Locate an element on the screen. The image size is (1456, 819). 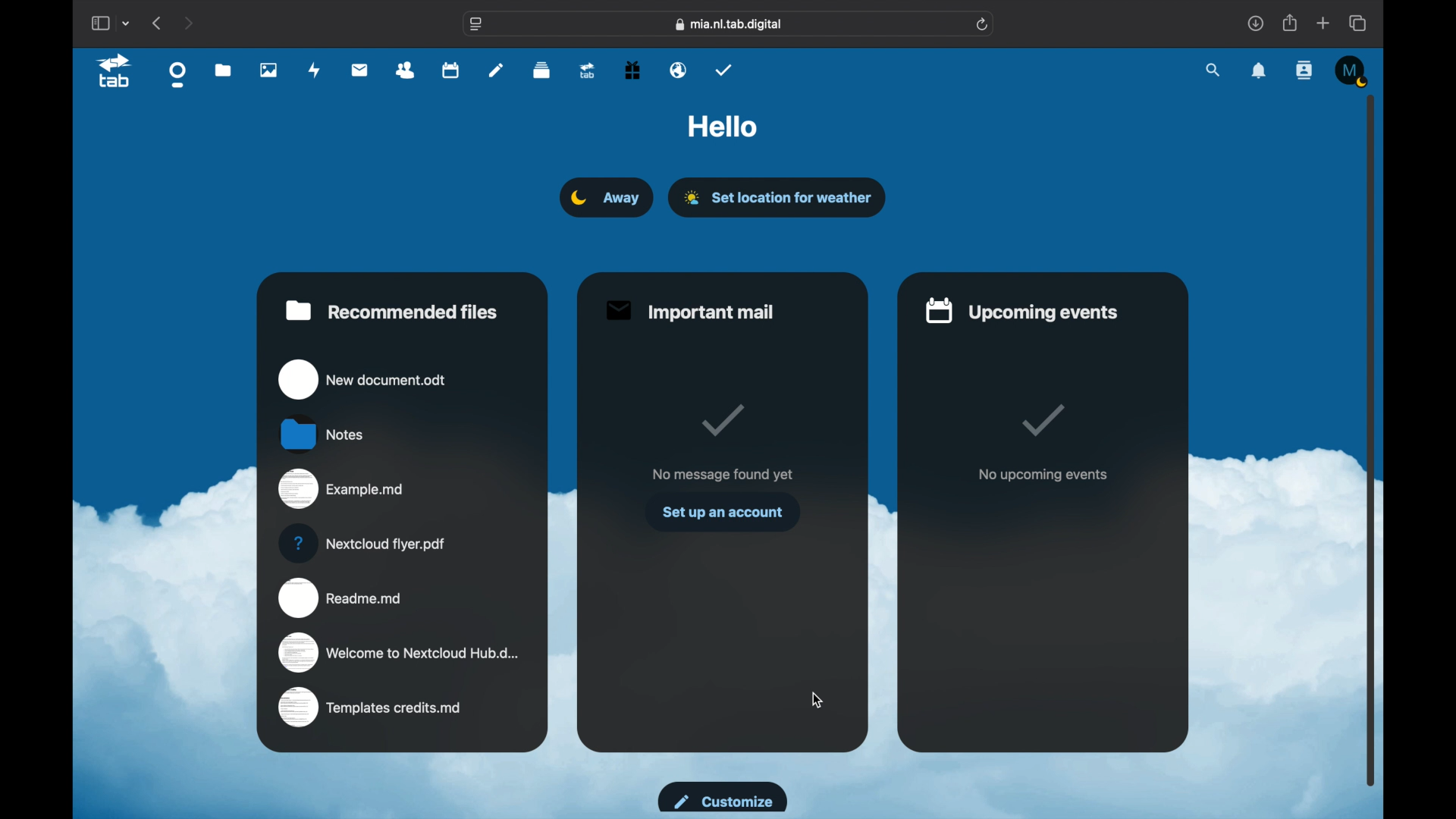
contacts is located at coordinates (405, 71).